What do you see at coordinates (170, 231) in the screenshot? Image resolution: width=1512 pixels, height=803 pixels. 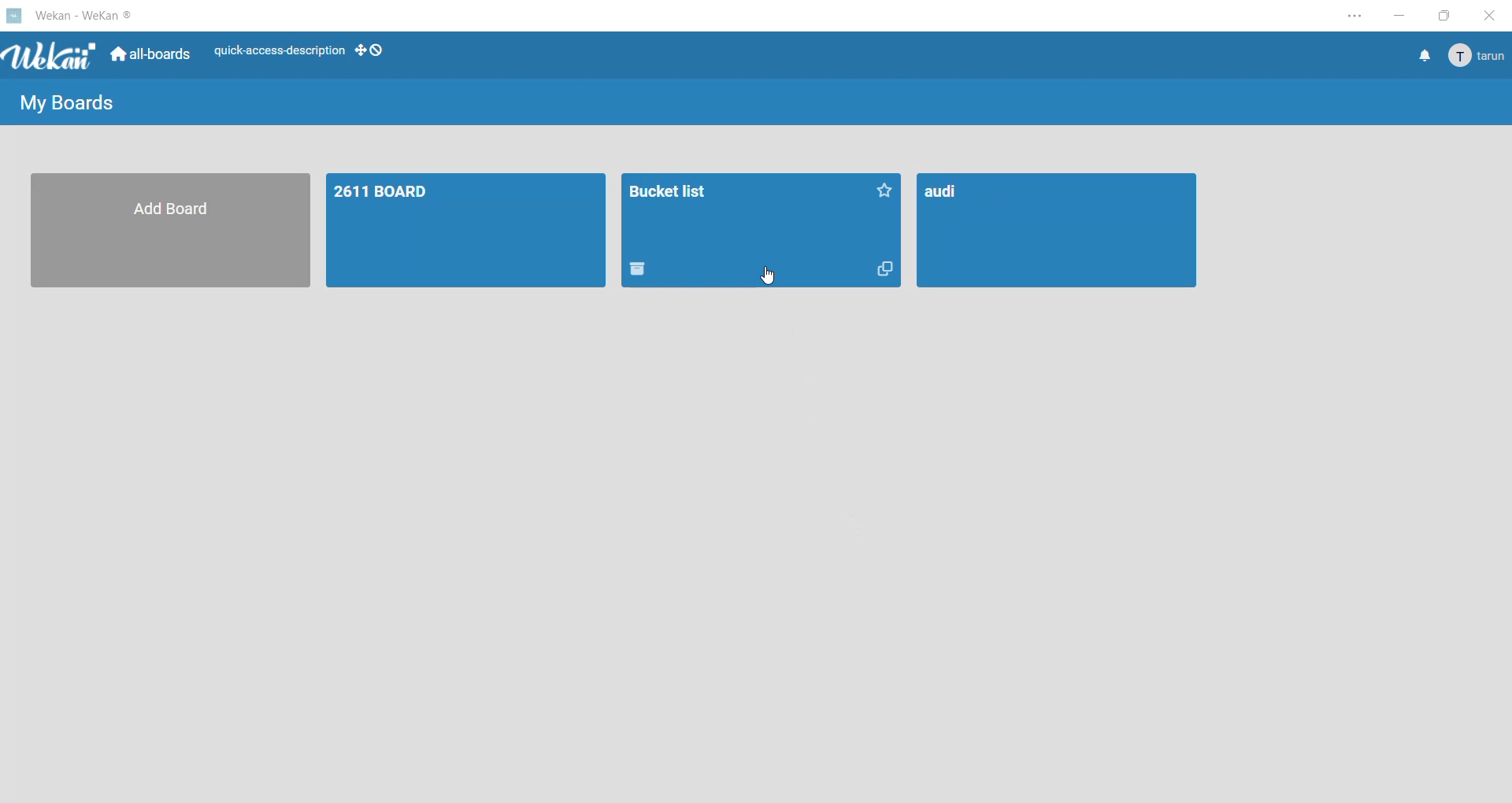 I see `Add Board` at bounding box center [170, 231].